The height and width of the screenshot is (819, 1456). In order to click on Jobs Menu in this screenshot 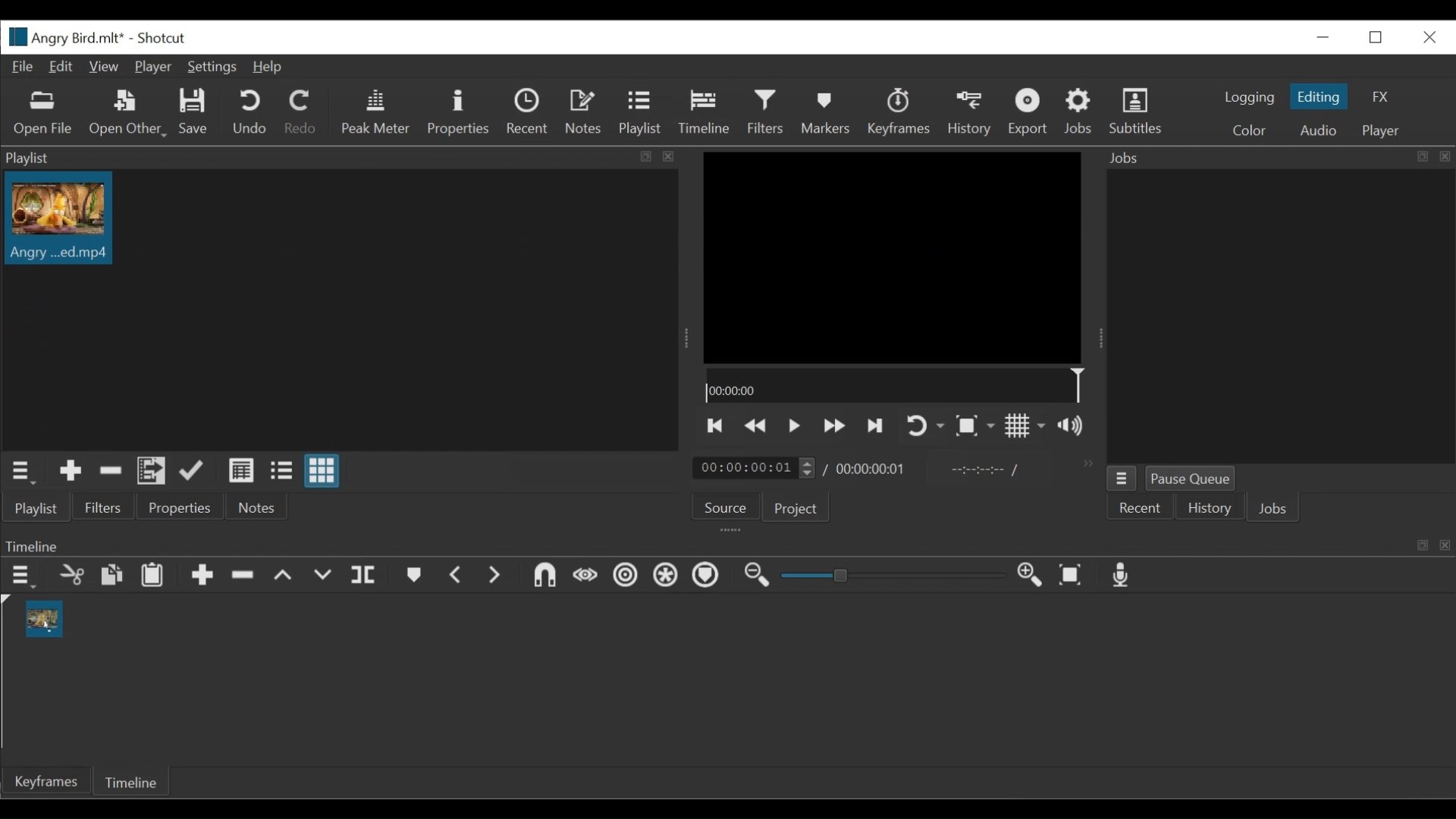, I will do `click(1121, 479)`.